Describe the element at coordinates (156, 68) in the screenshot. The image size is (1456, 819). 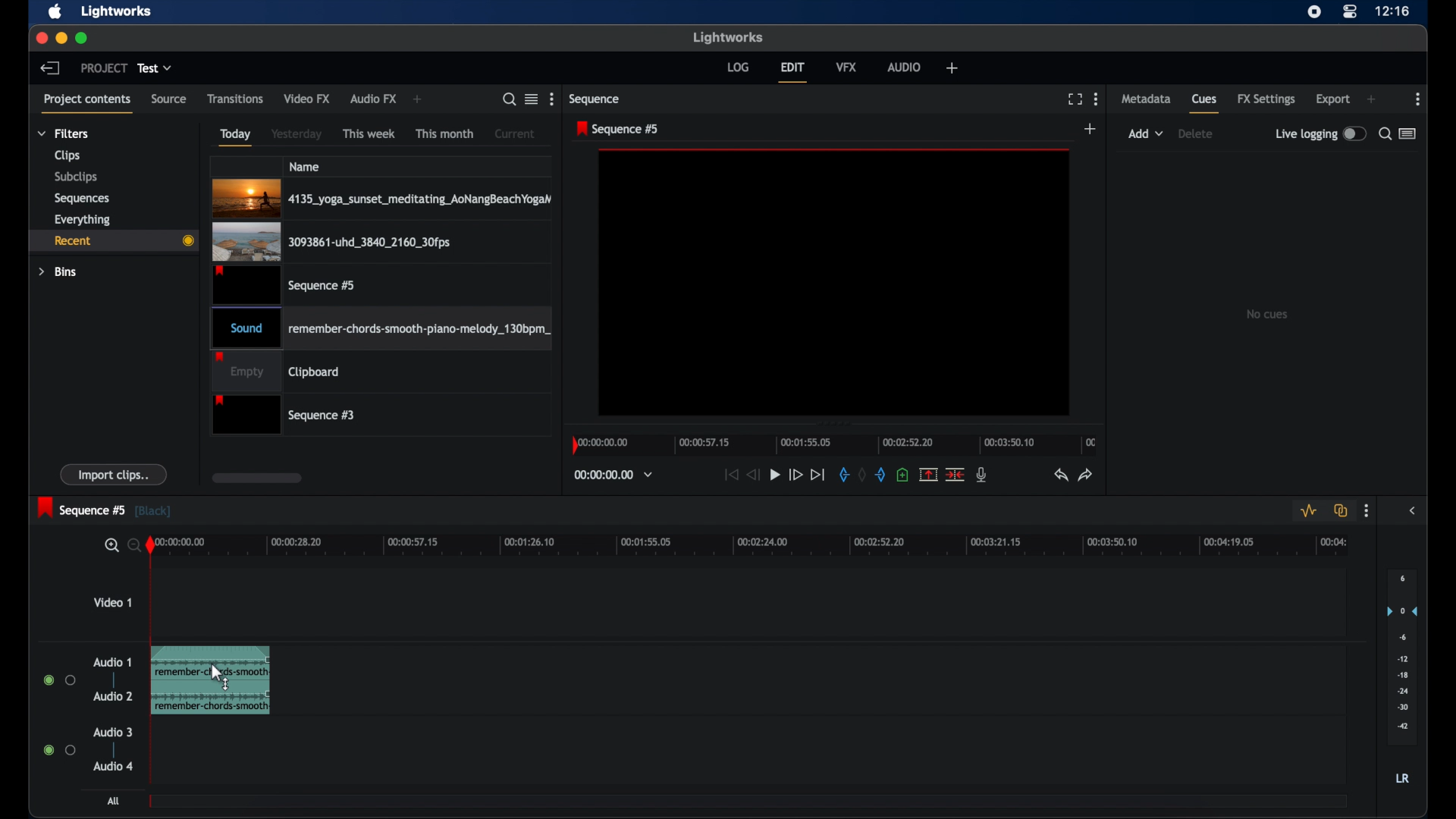
I see `test` at that location.